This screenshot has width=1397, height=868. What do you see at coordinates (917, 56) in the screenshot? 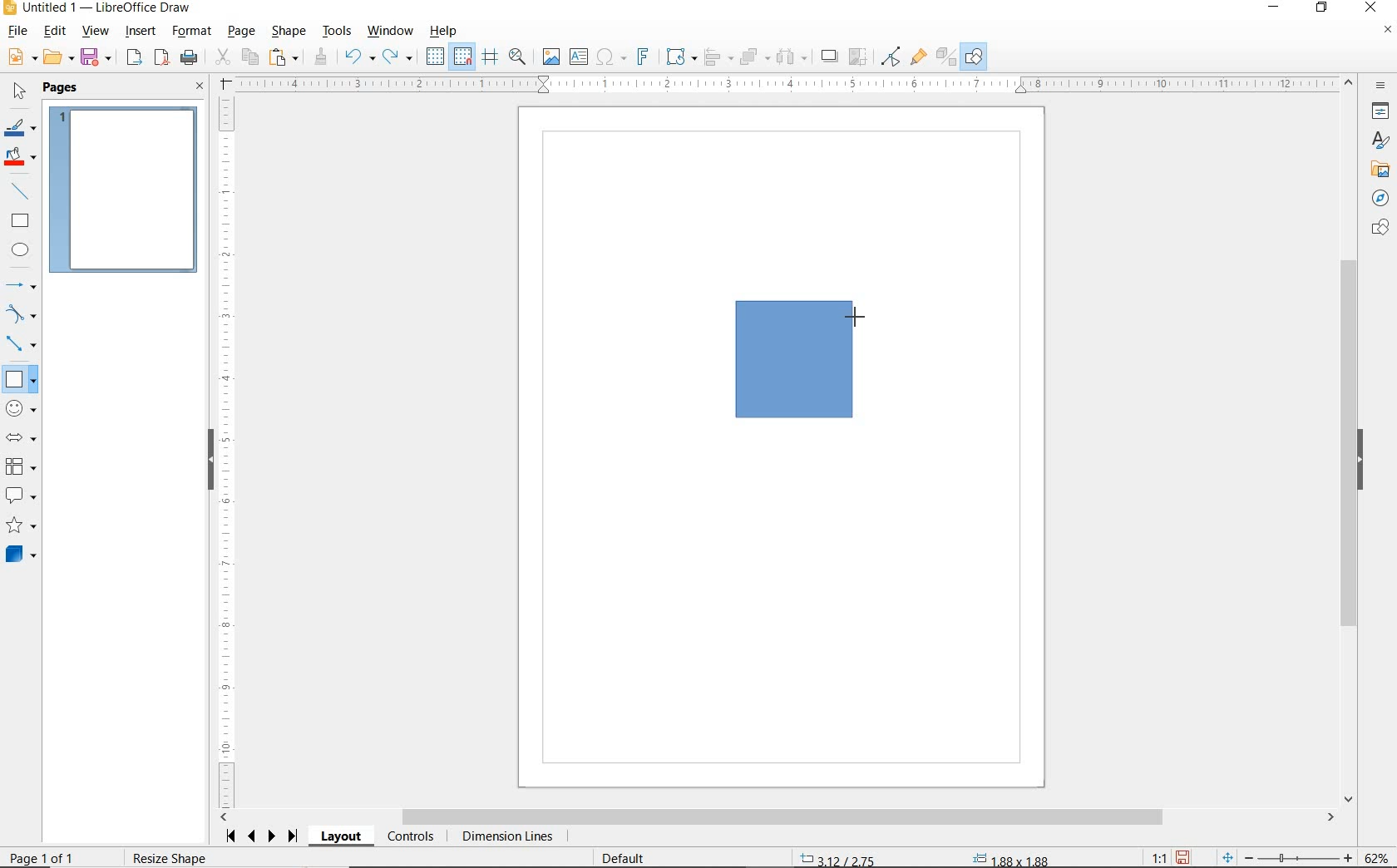
I see `SHOW GLUEPOINT FUNCTIONS` at bounding box center [917, 56].